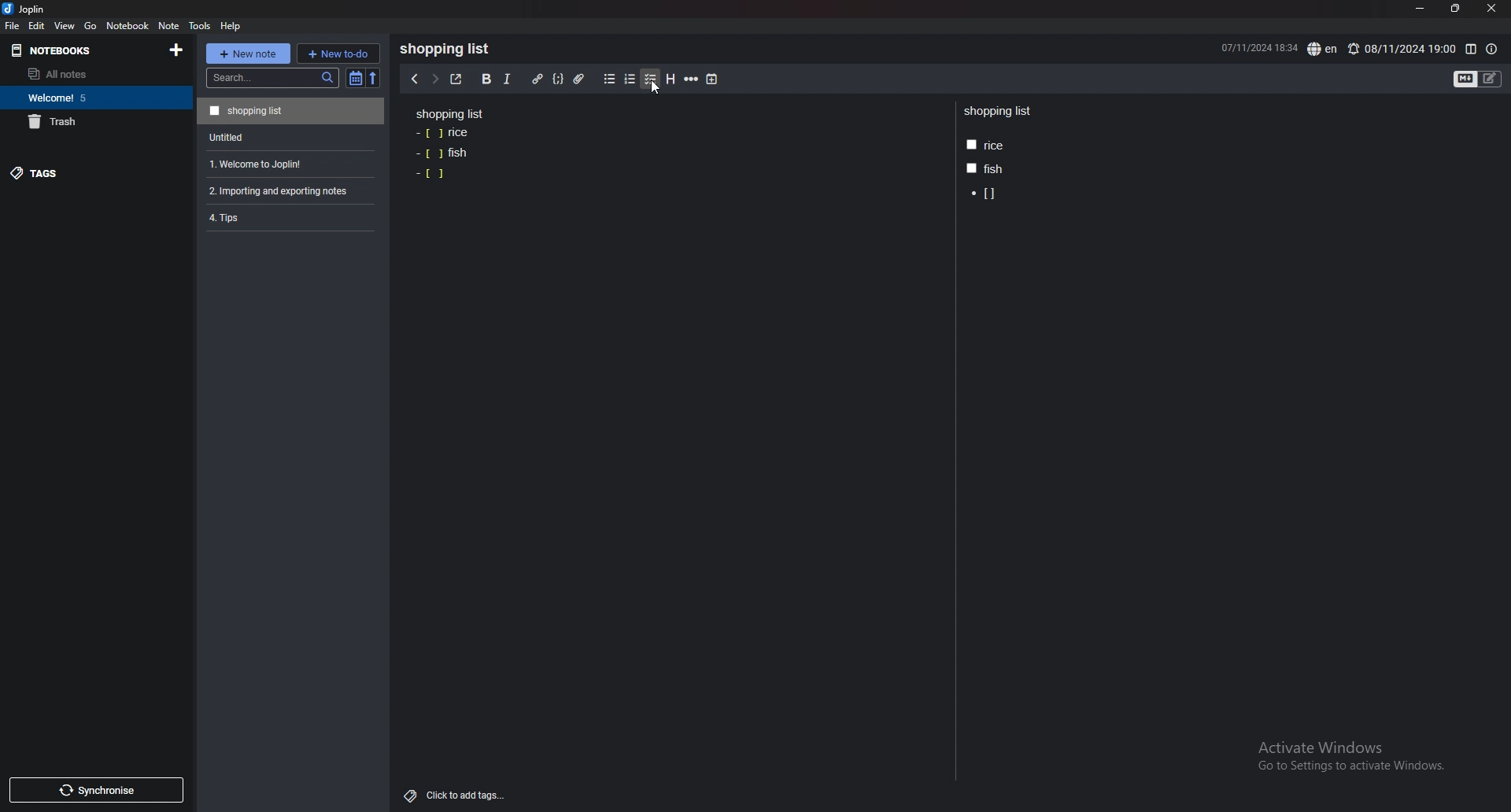 The width and height of the screenshot is (1511, 812). What do you see at coordinates (1471, 50) in the screenshot?
I see `toggle editor layout` at bounding box center [1471, 50].